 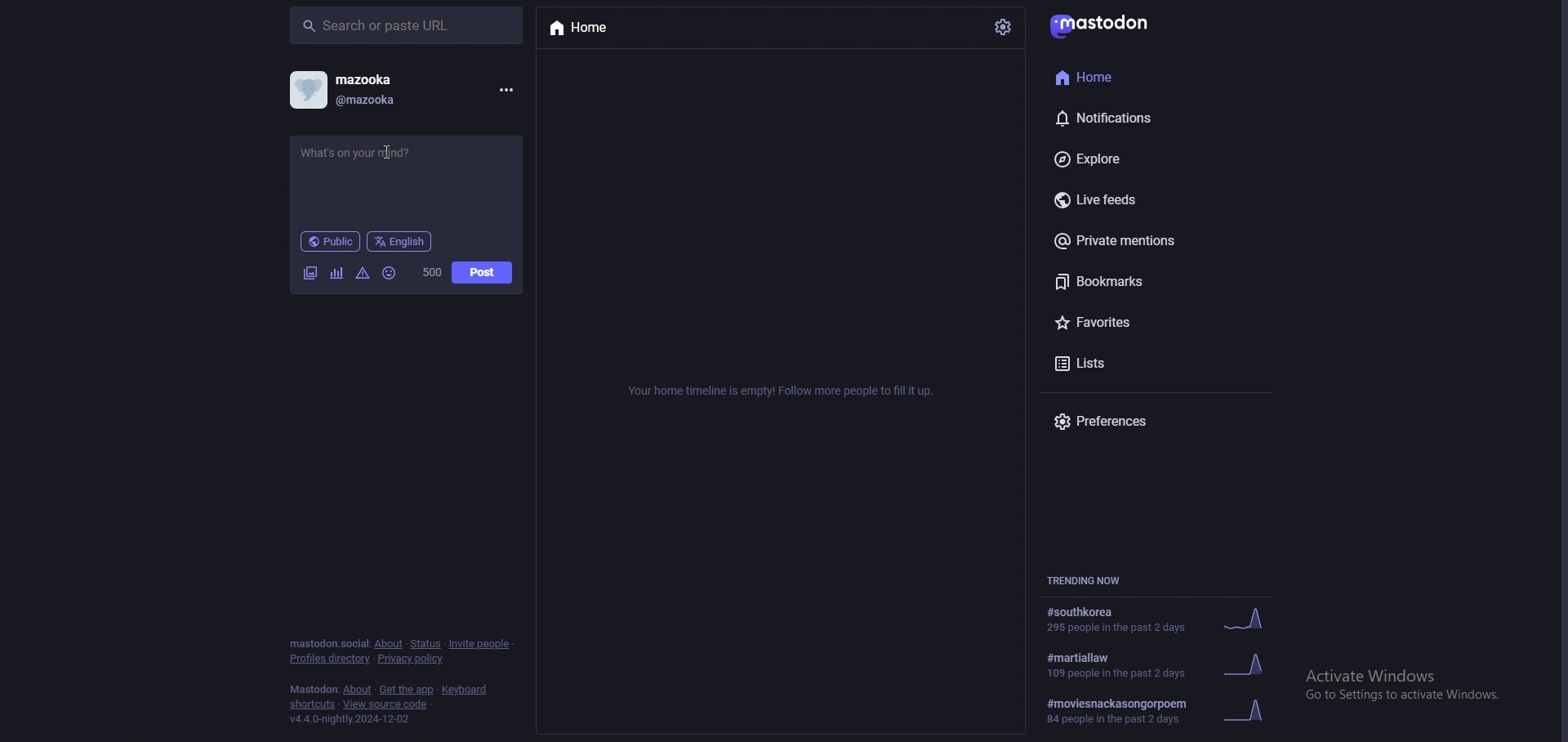 I want to click on bookmarks, so click(x=1125, y=284).